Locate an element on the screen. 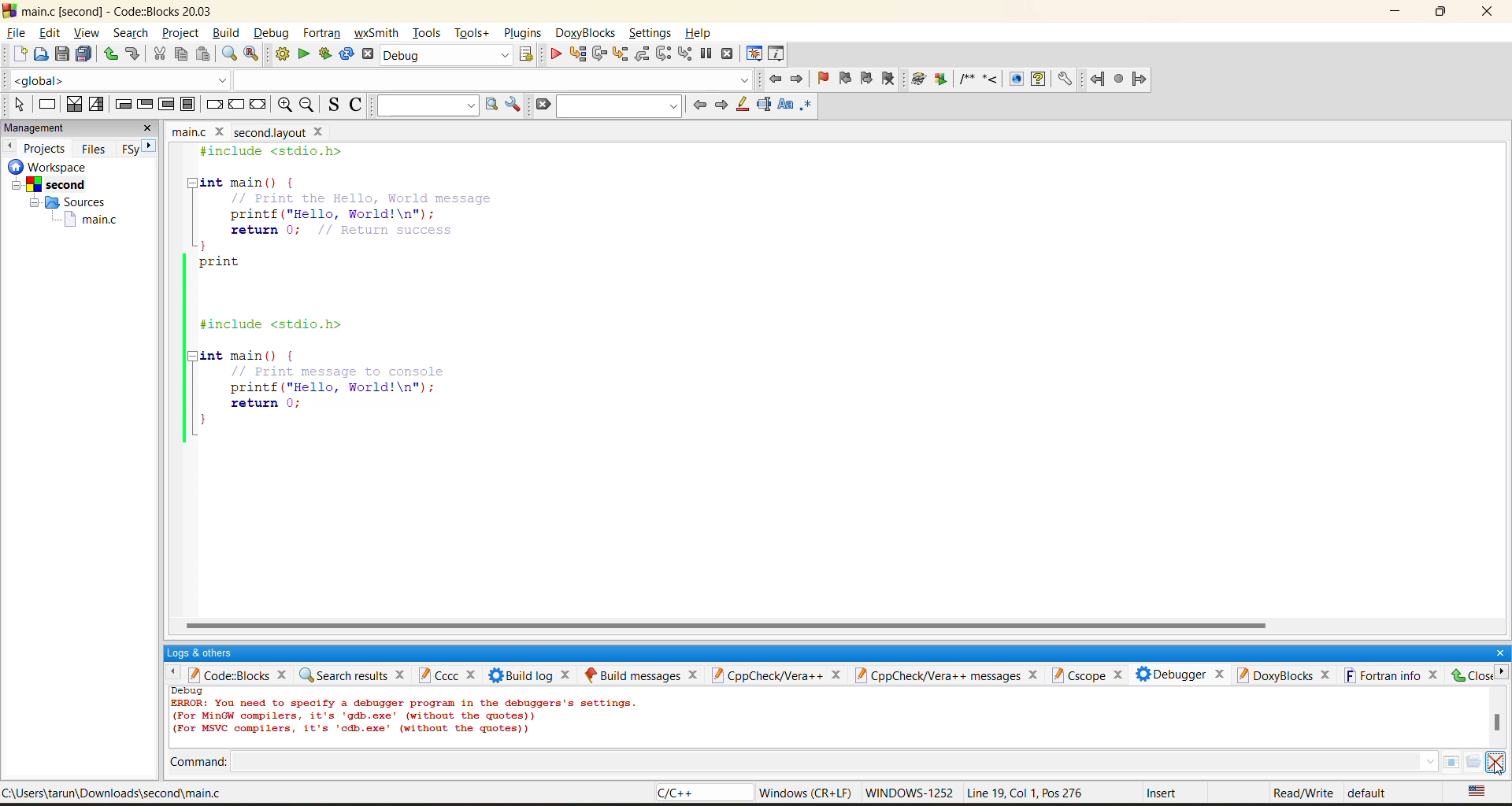  run search is located at coordinates (487, 104).